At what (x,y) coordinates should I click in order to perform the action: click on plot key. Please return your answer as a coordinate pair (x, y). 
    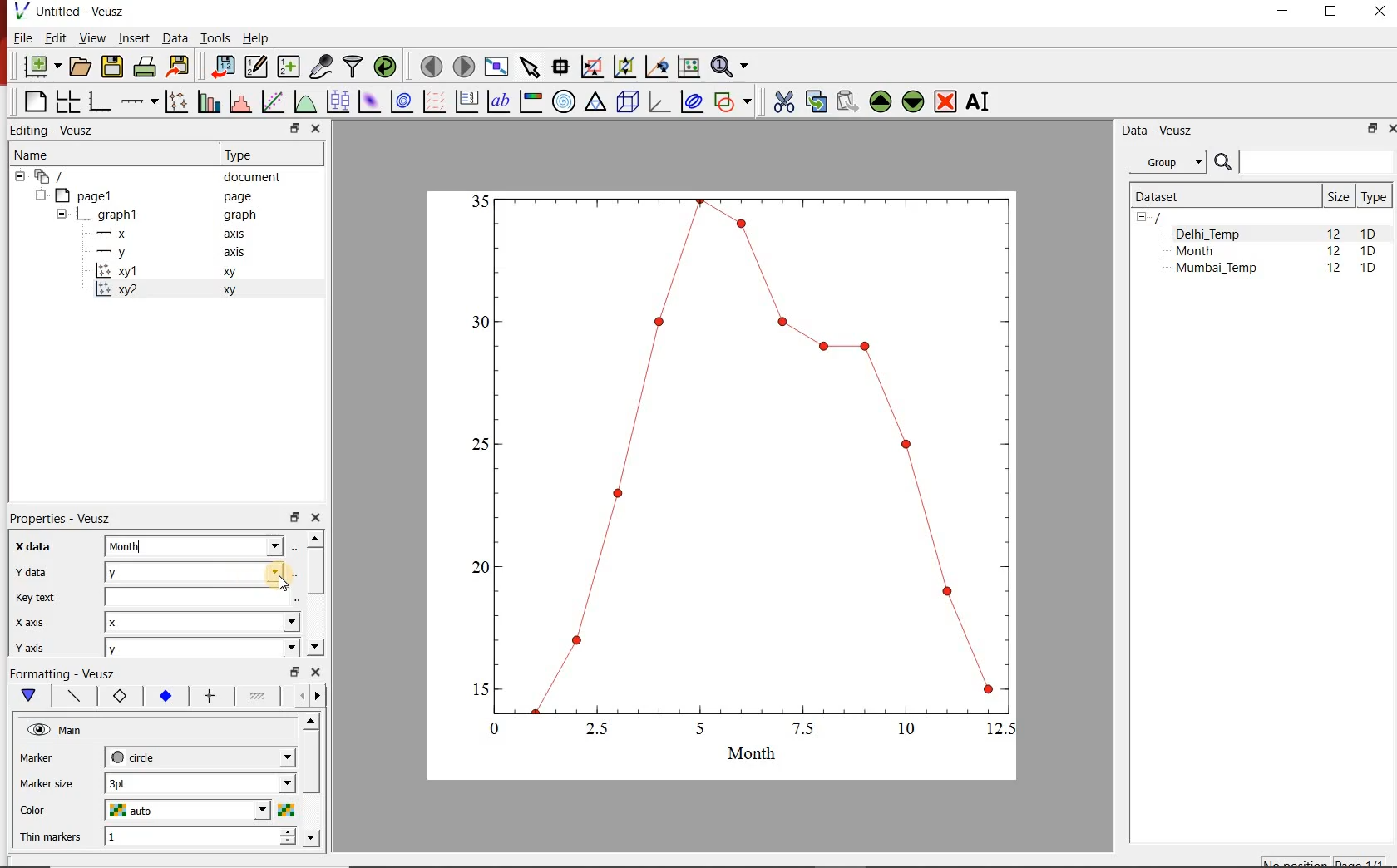
    Looking at the image, I should click on (466, 102).